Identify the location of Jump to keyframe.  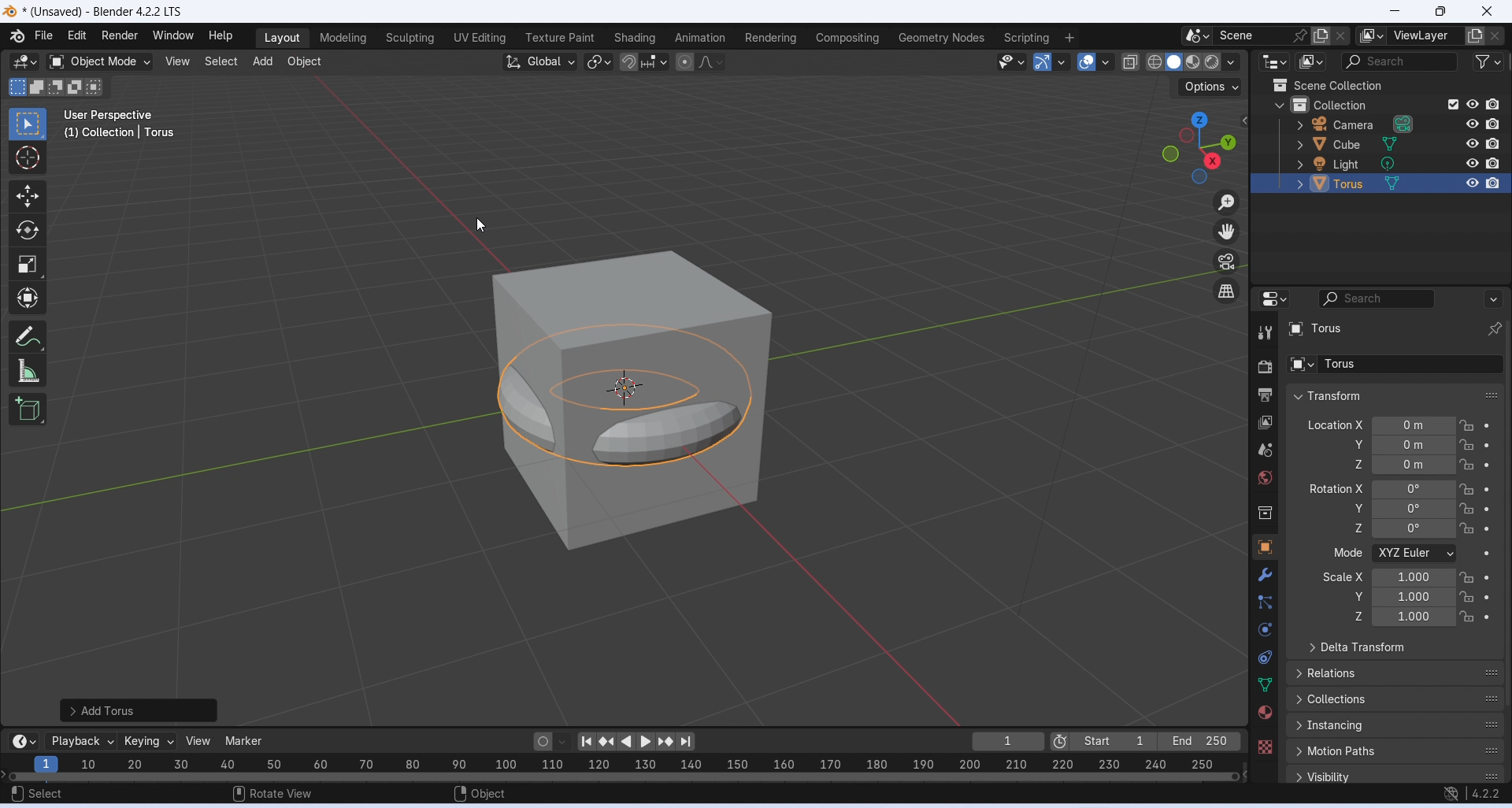
(668, 742).